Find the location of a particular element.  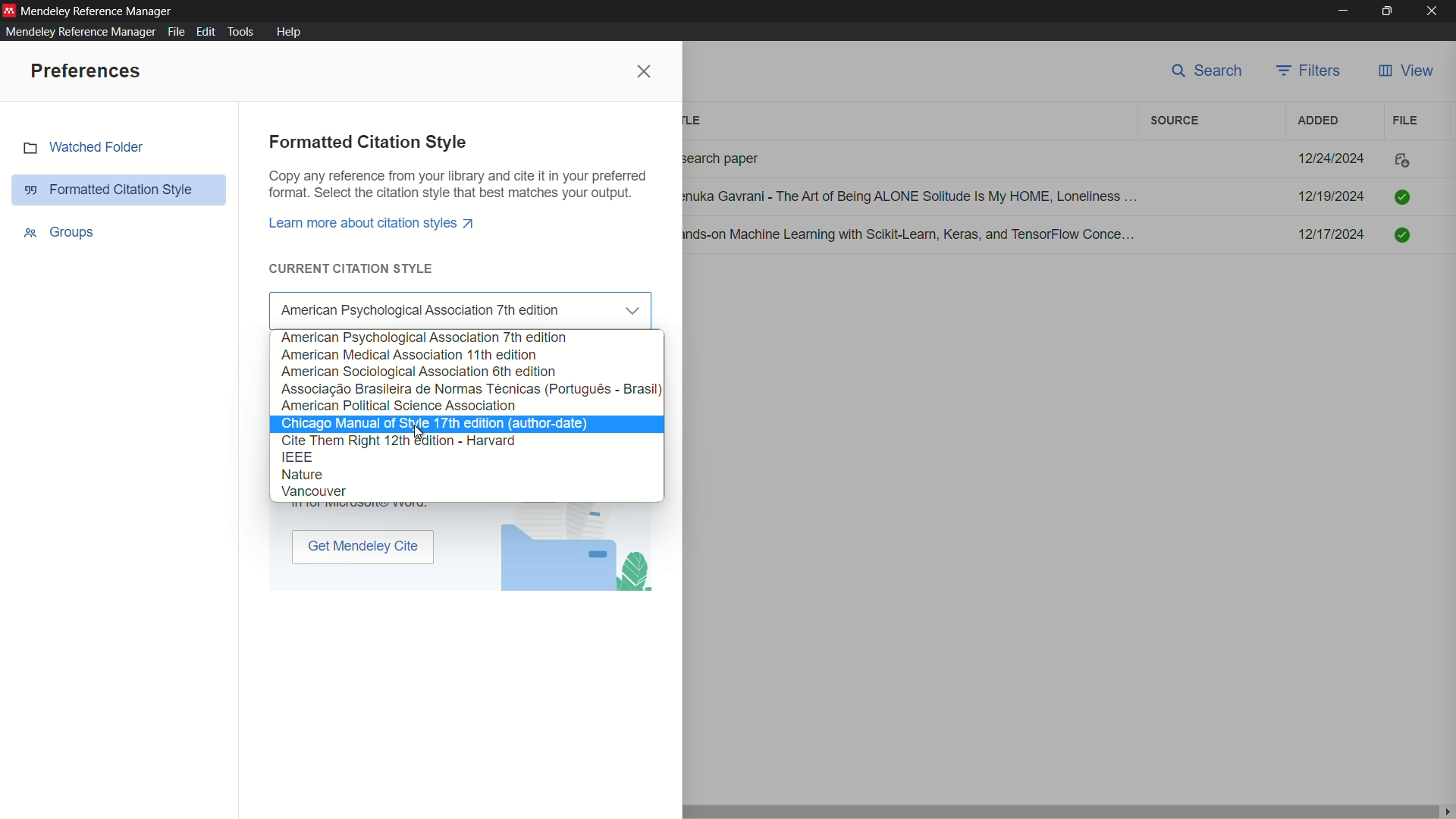

tools menu is located at coordinates (244, 32).